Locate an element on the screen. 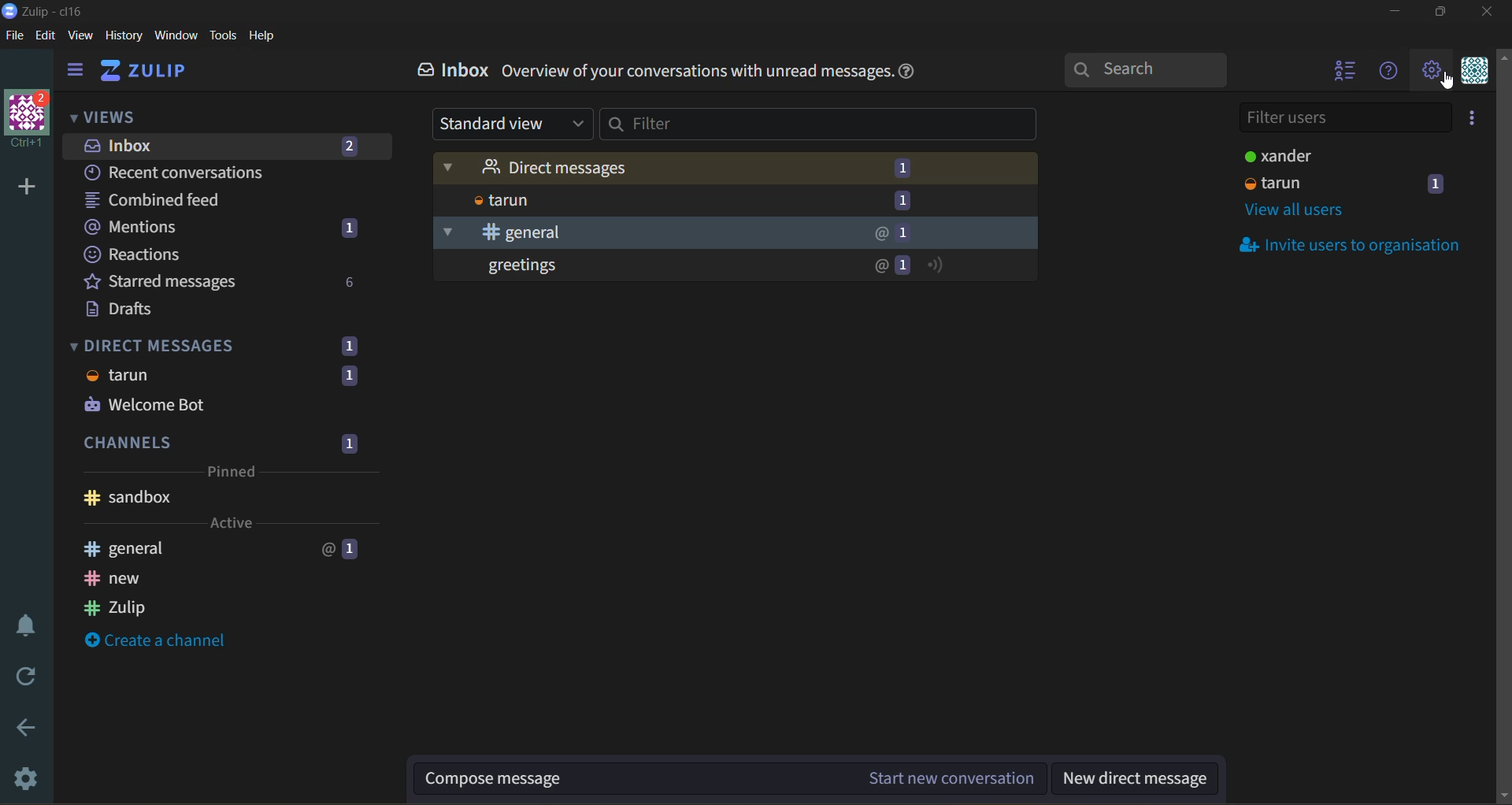 The width and height of the screenshot is (1512, 805). combined feed is located at coordinates (204, 201).